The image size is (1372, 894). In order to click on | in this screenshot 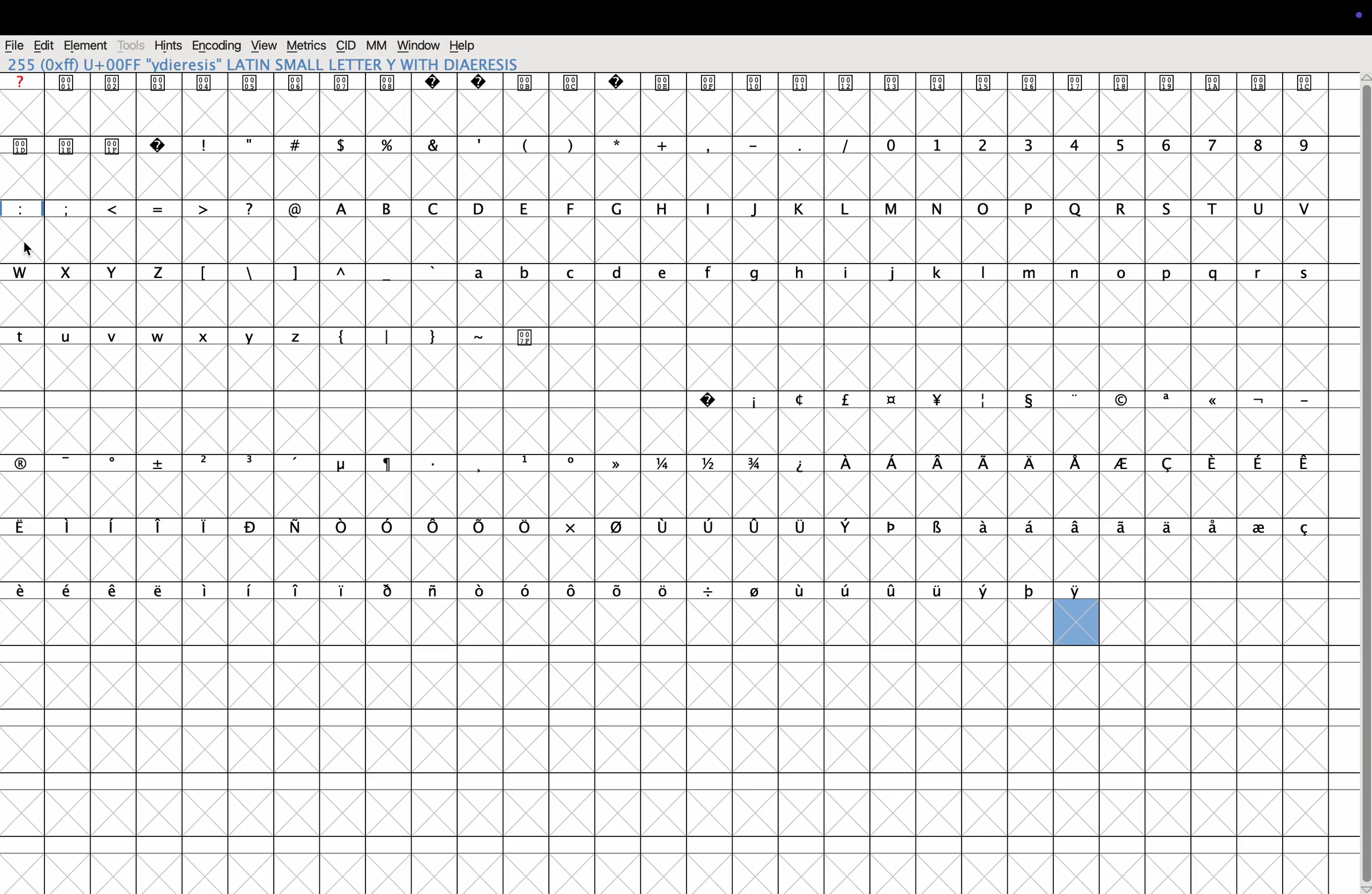, I will do `click(387, 354)`.